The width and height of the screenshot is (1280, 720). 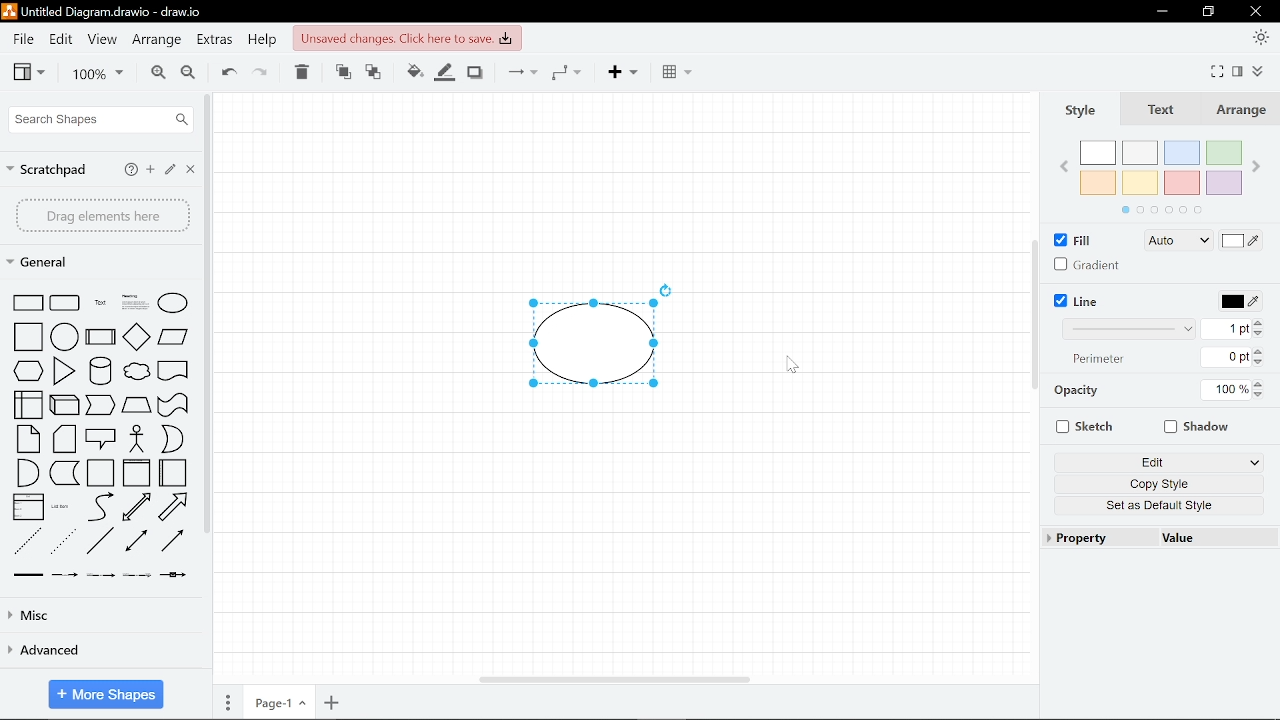 What do you see at coordinates (1218, 70) in the screenshot?
I see `Fullscreen` at bounding box center [1218, 70].